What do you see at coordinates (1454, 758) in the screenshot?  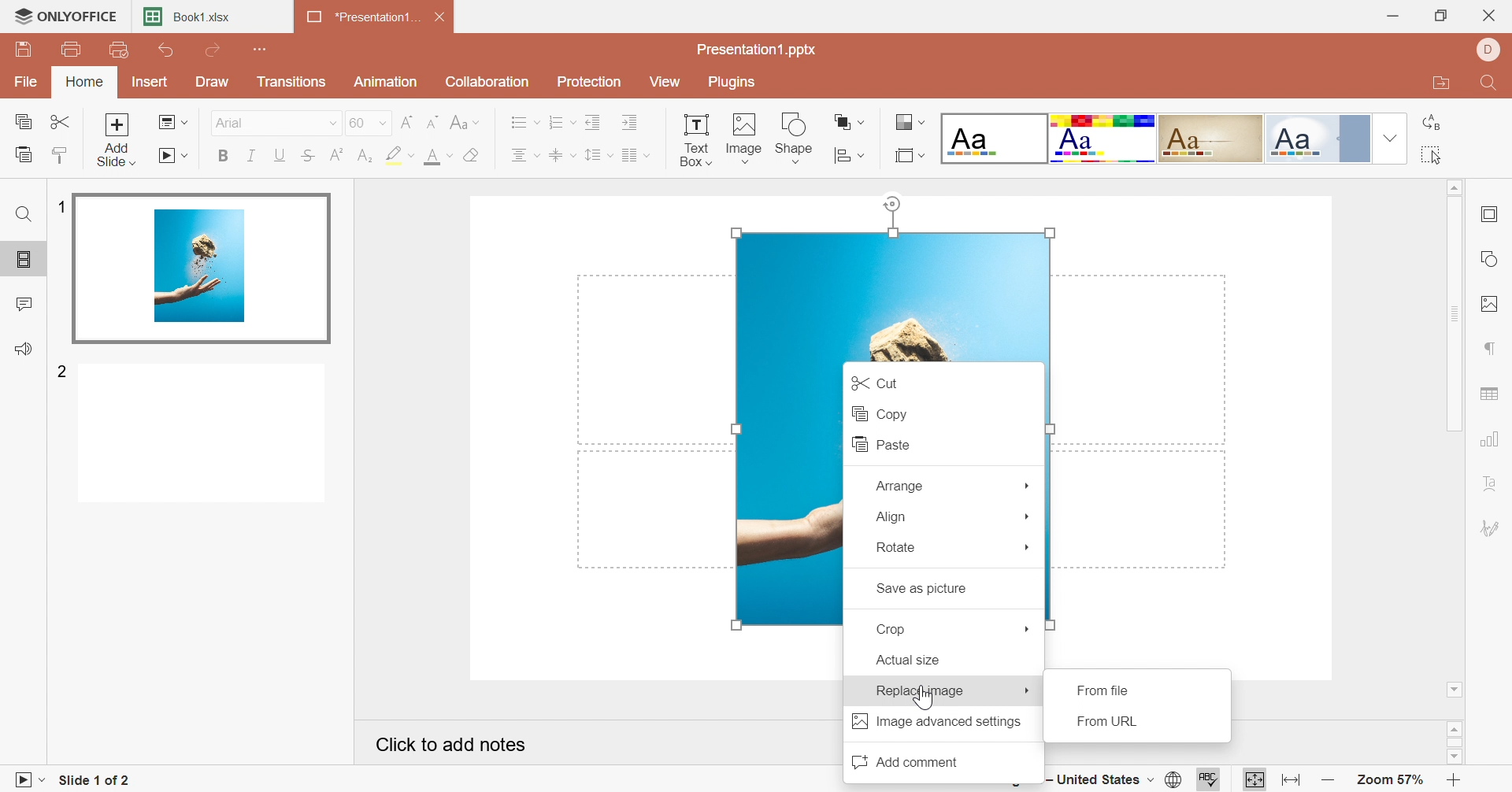 I see `scroll down` at bounding box center [1454, 758].